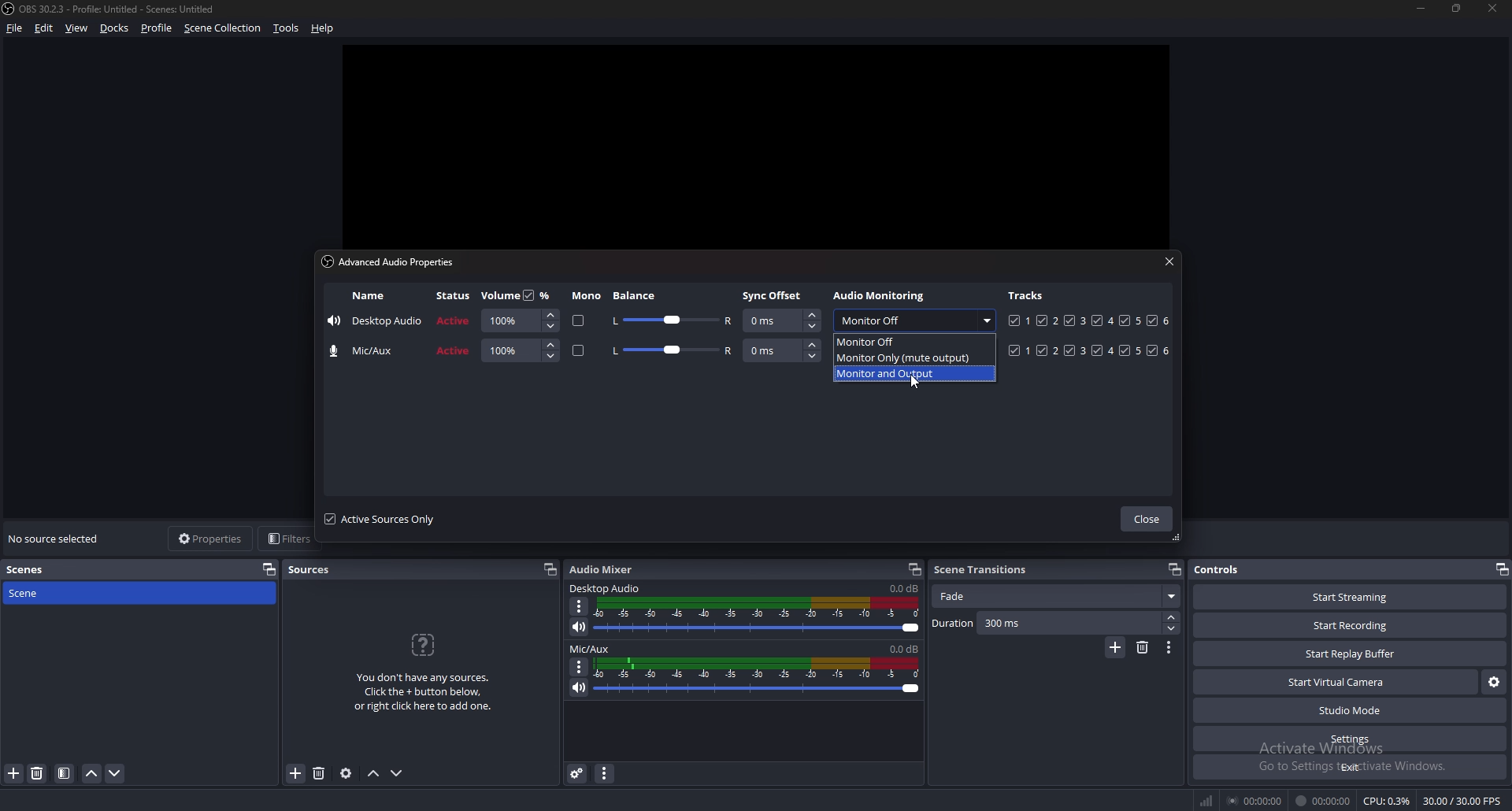  Describe the element at coordinates (369, 351) in the screenshot. I see `name` at that location.